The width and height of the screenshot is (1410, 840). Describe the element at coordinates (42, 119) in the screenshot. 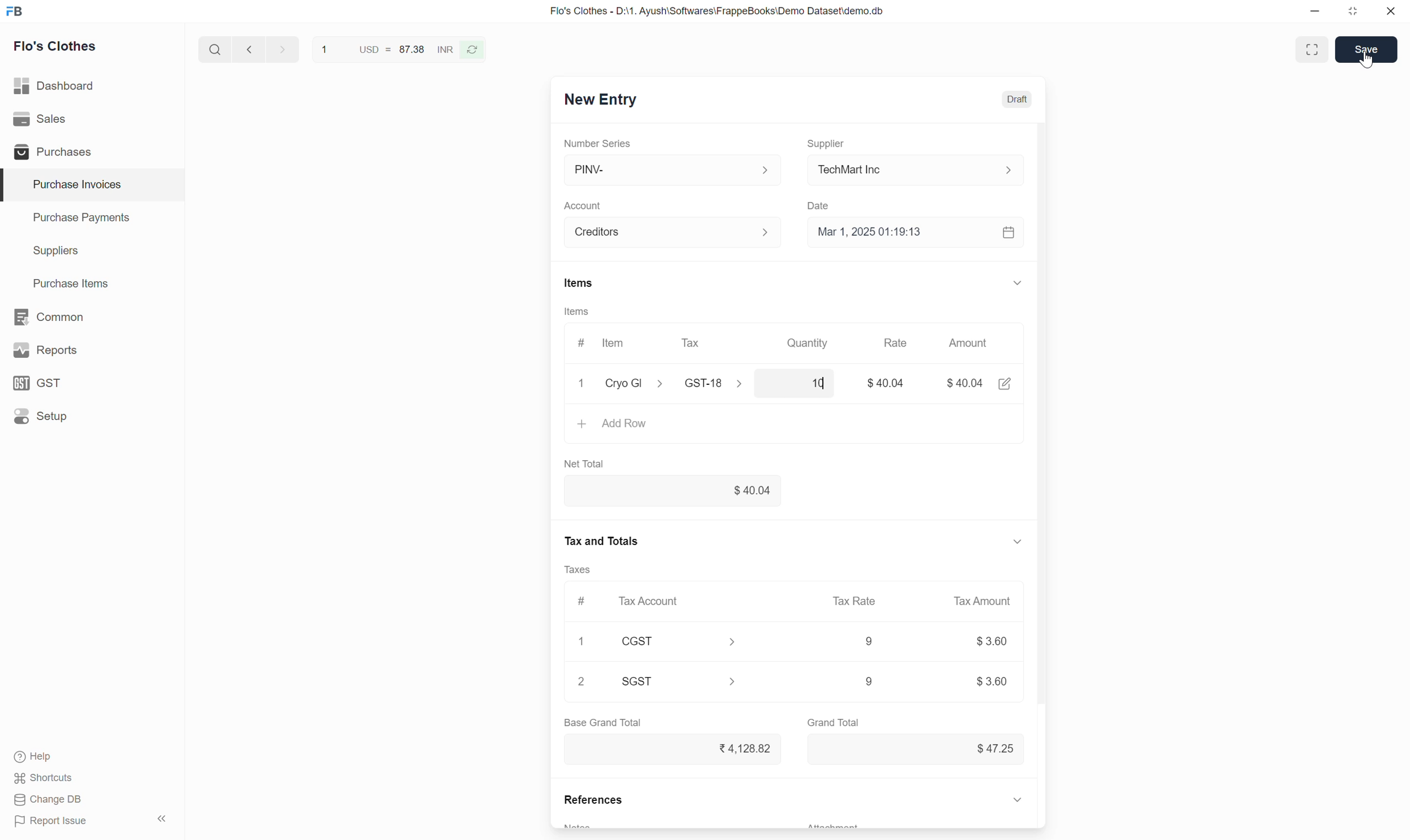

I see `Sales` at that location.